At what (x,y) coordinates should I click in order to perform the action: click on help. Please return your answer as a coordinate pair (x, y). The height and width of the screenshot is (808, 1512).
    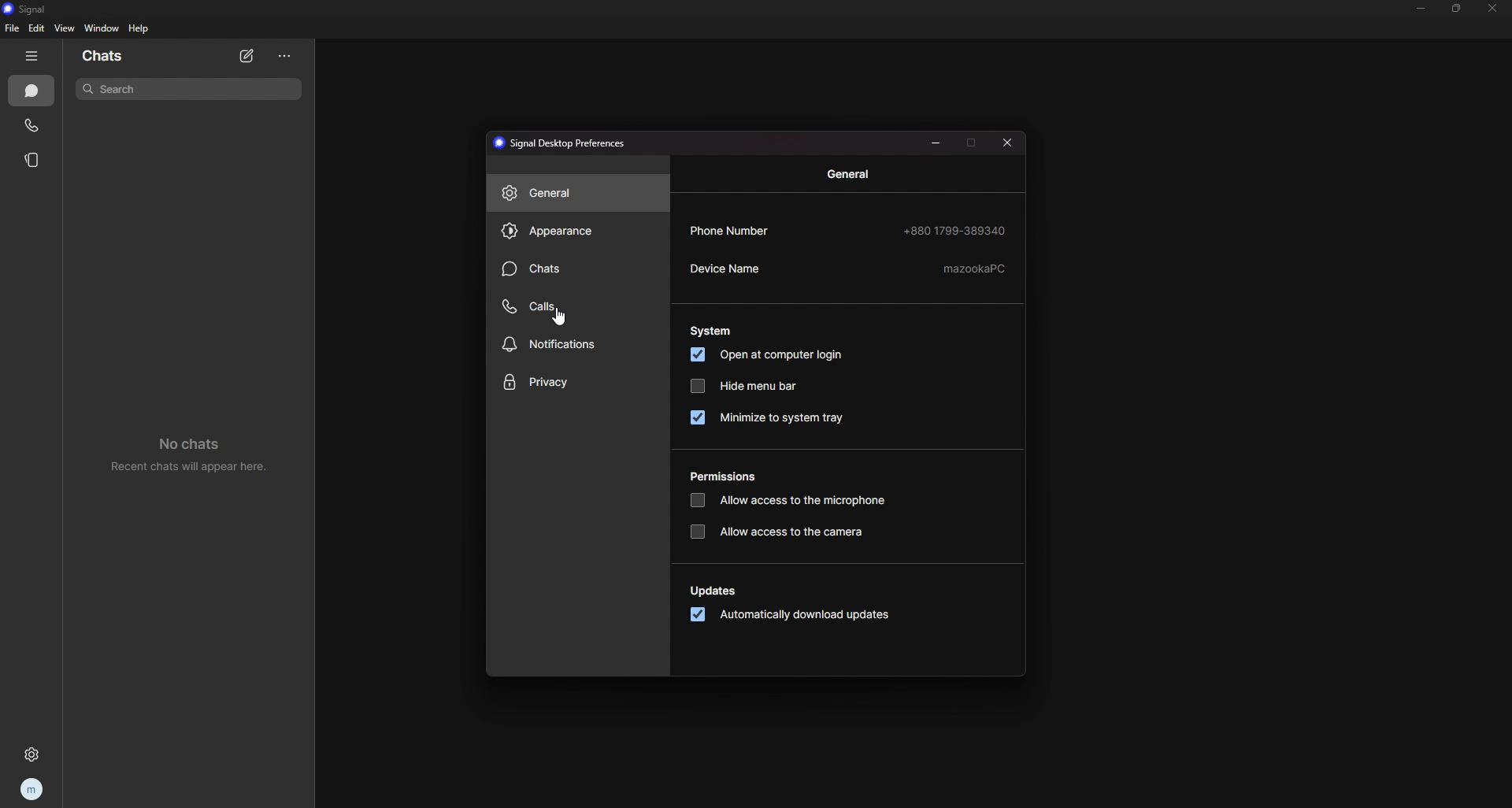
    Looking at the image, I should click on (139, 28).